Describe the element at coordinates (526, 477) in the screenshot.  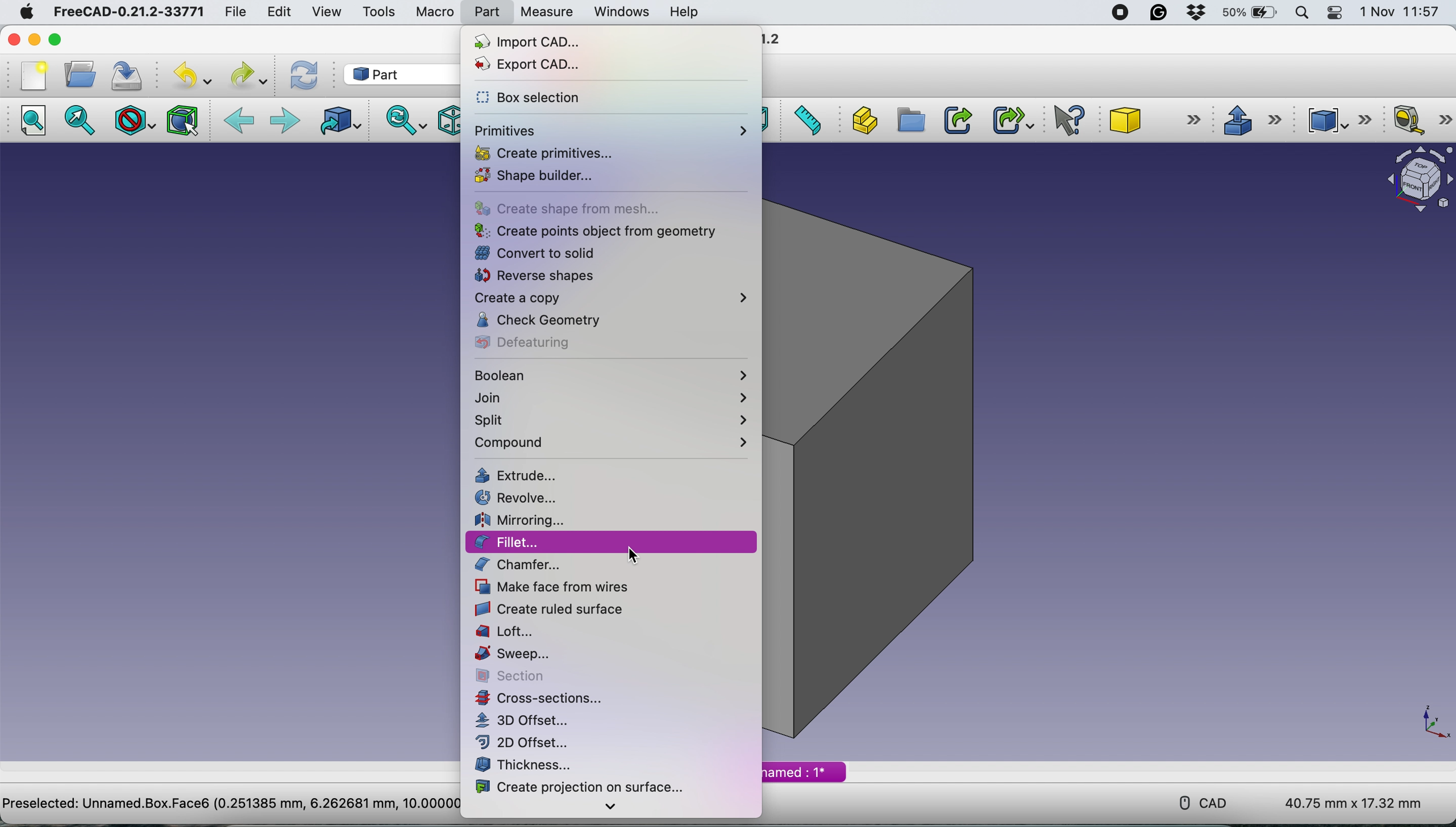
I see `extrude` at that location.